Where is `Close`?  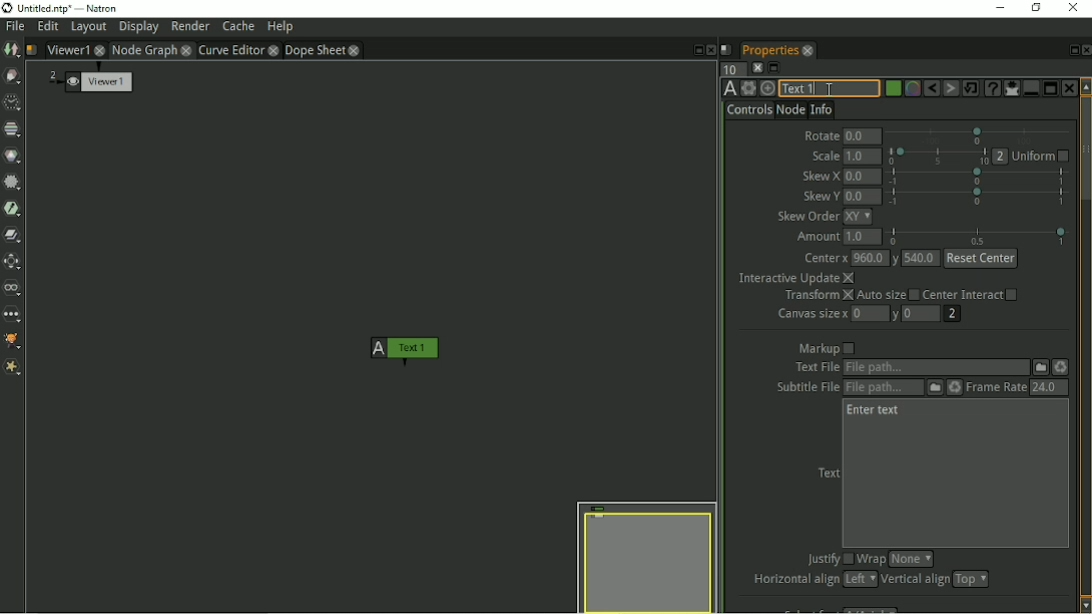
Close is located at coordinates (1069, 88).